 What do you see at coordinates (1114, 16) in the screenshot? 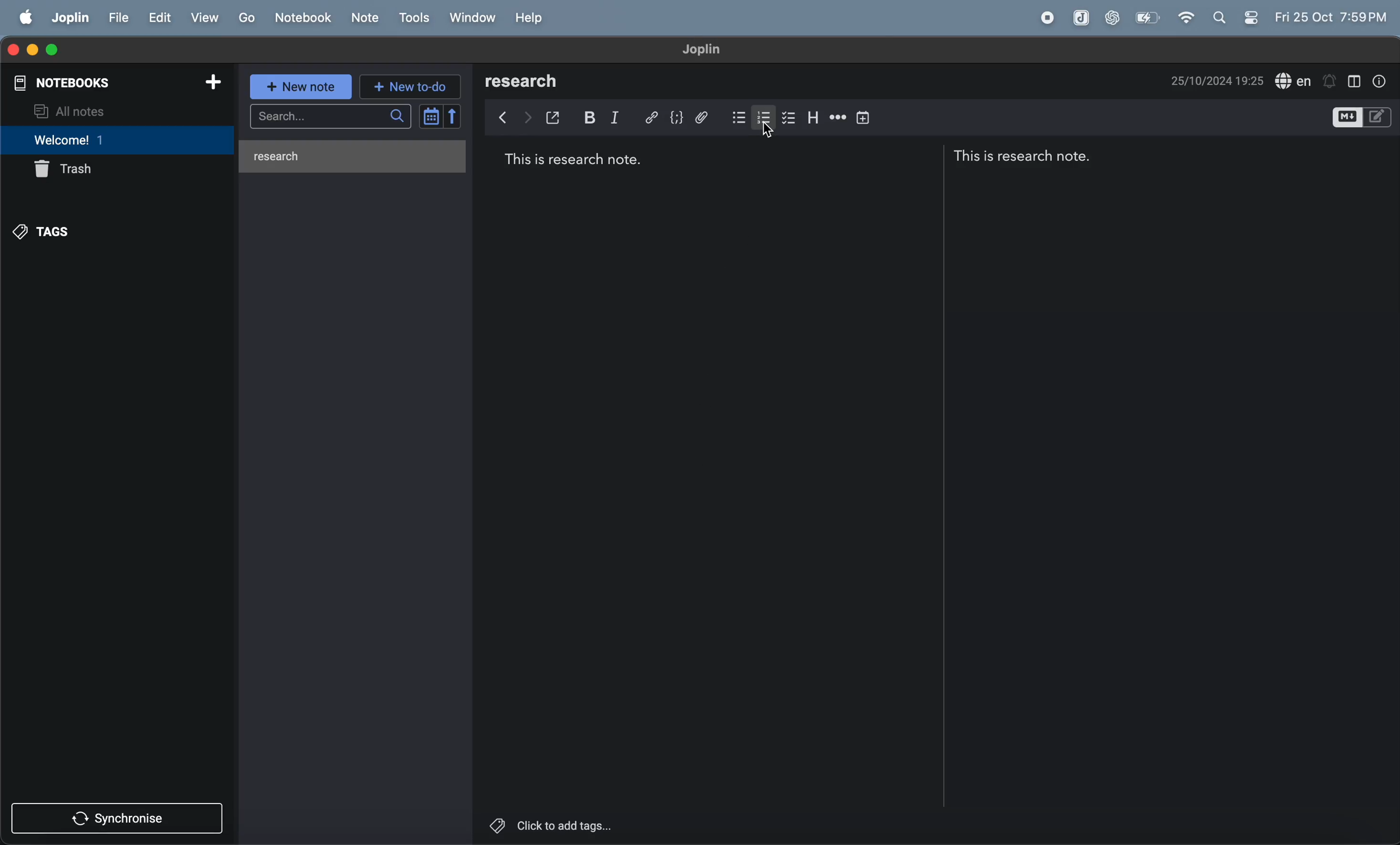
I see `chat gpt` at bounding box center [1114, 16].